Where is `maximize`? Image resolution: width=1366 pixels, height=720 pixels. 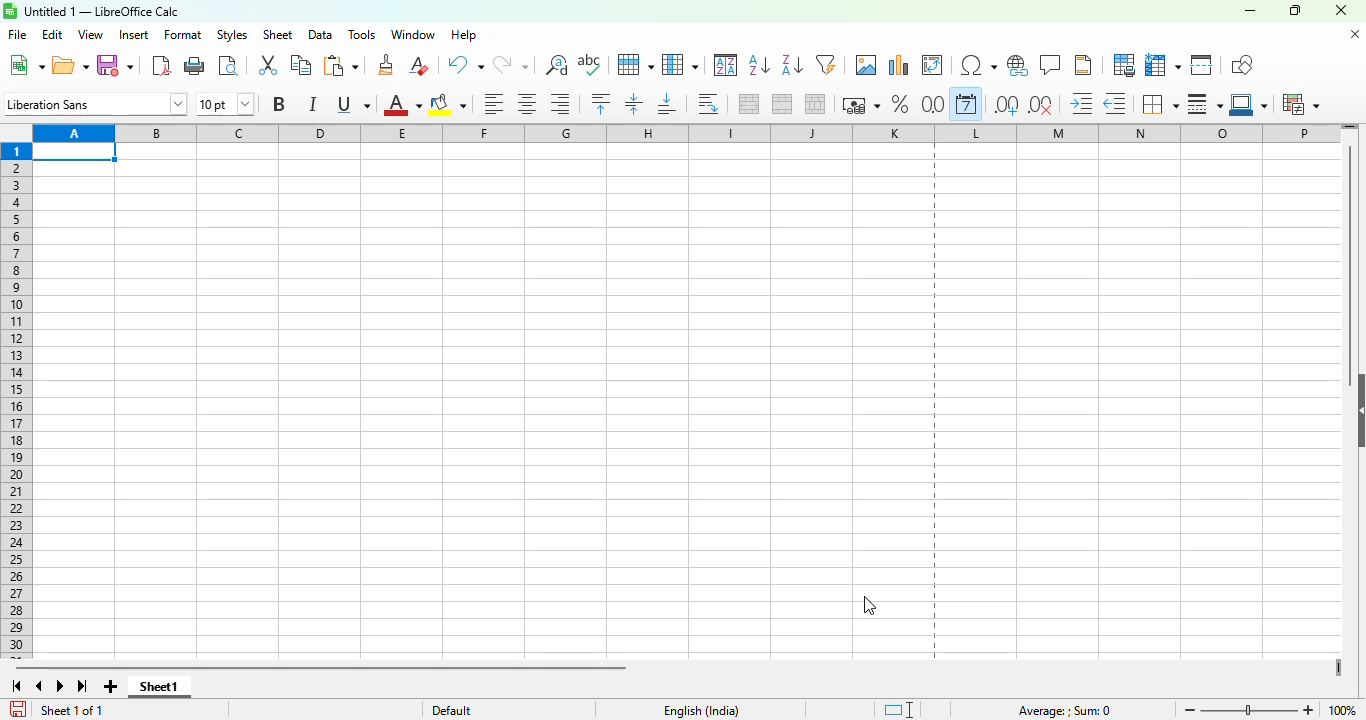 maximize is located at coordinates (1294, 11).